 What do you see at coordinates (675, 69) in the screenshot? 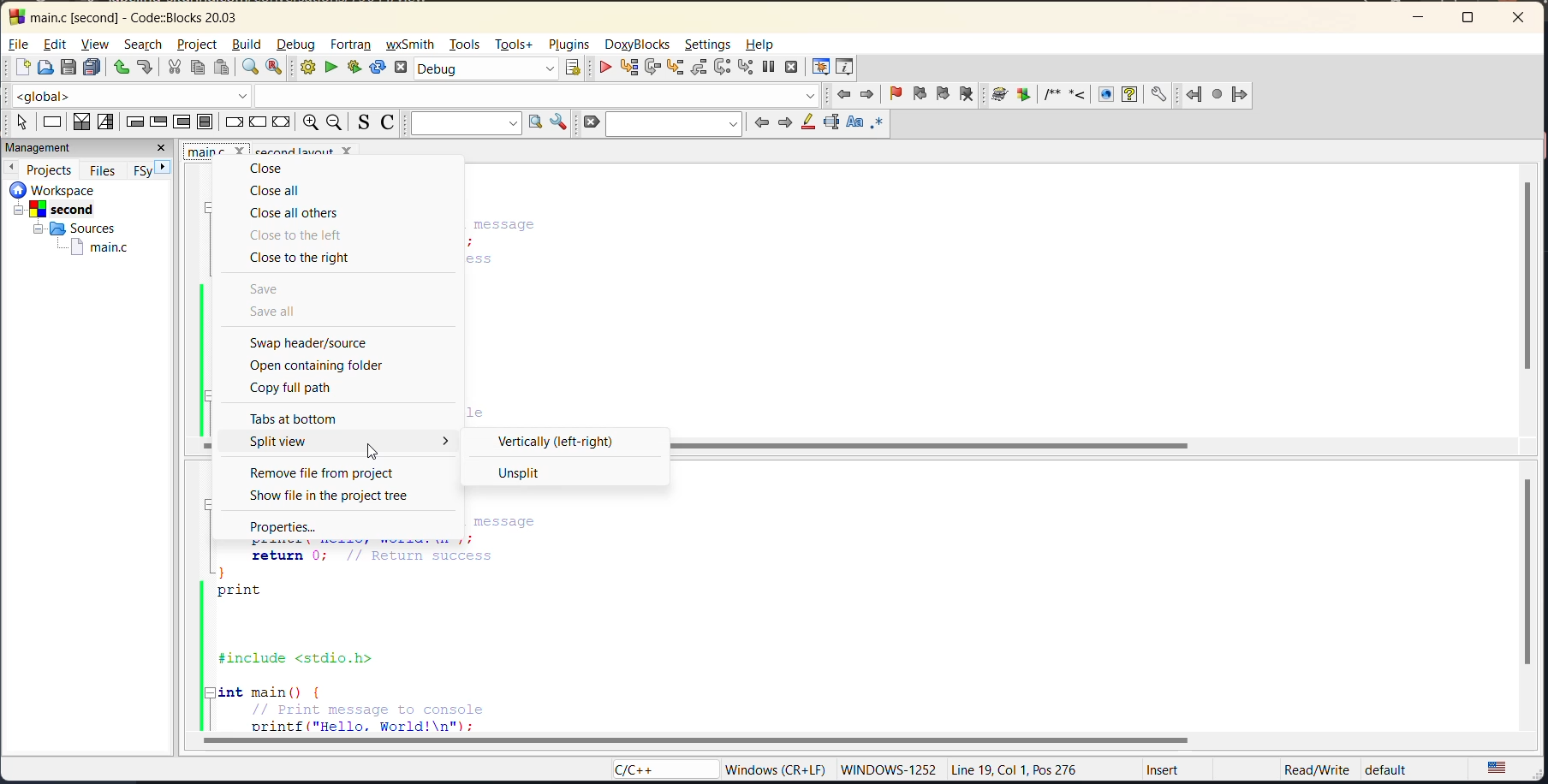
I see `step into` at bounding box center [675, 69].